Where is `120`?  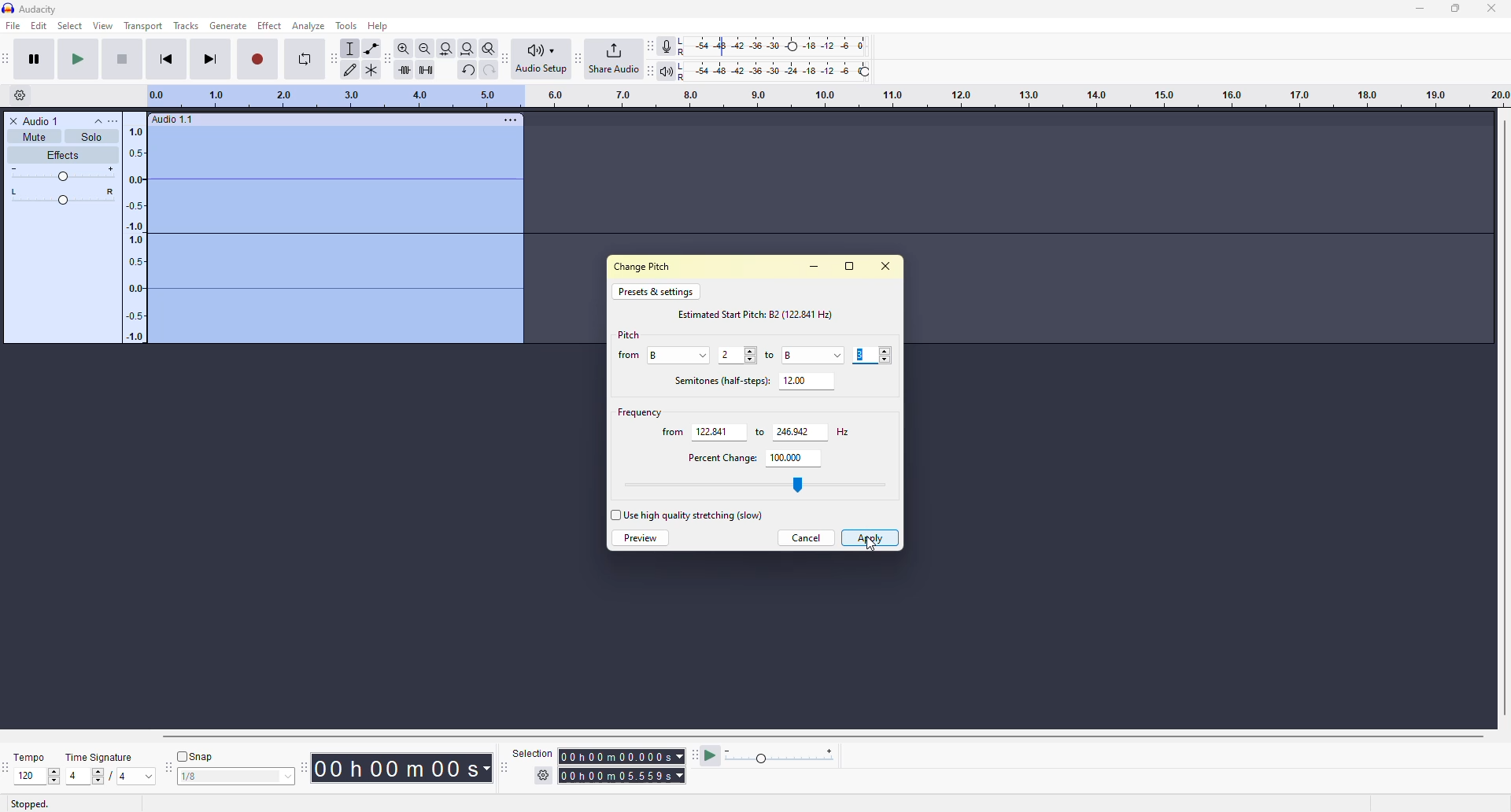
120 is located at coordinates (28, 775).